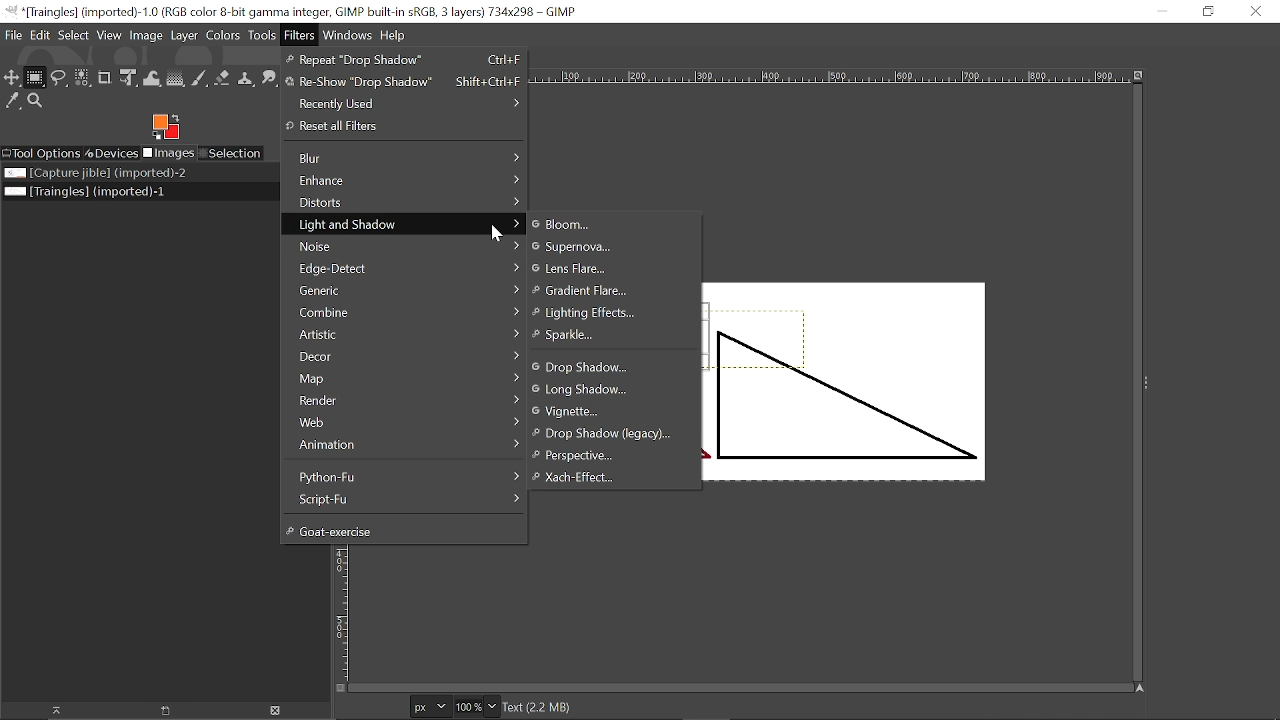 This screenshot has width=1280, height=720. Describe the element at coordinates (408, 312) in the screenshot. I see `Combine` at that location.